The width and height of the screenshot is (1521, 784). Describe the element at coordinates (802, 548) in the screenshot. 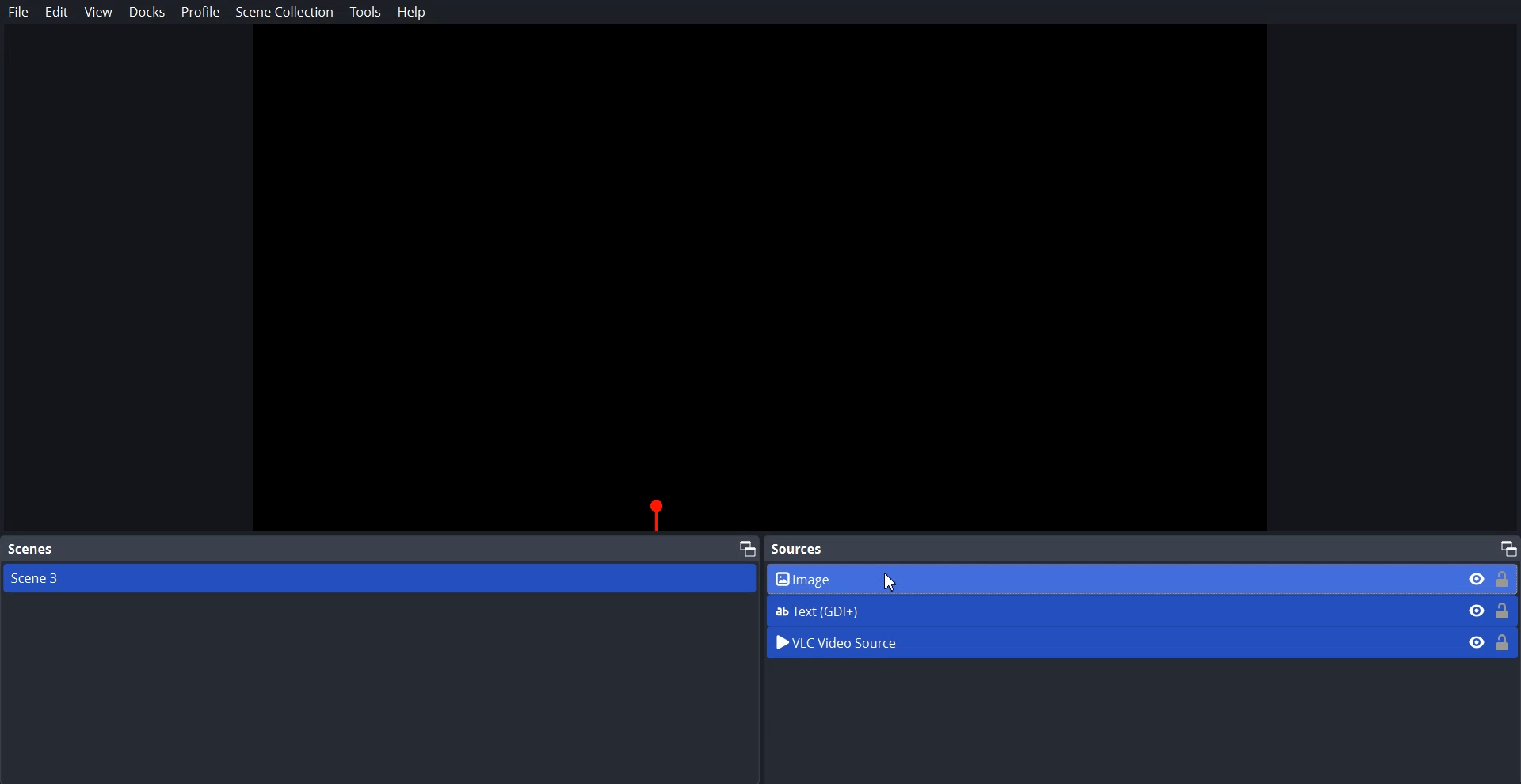

I see `Sources` at that location.